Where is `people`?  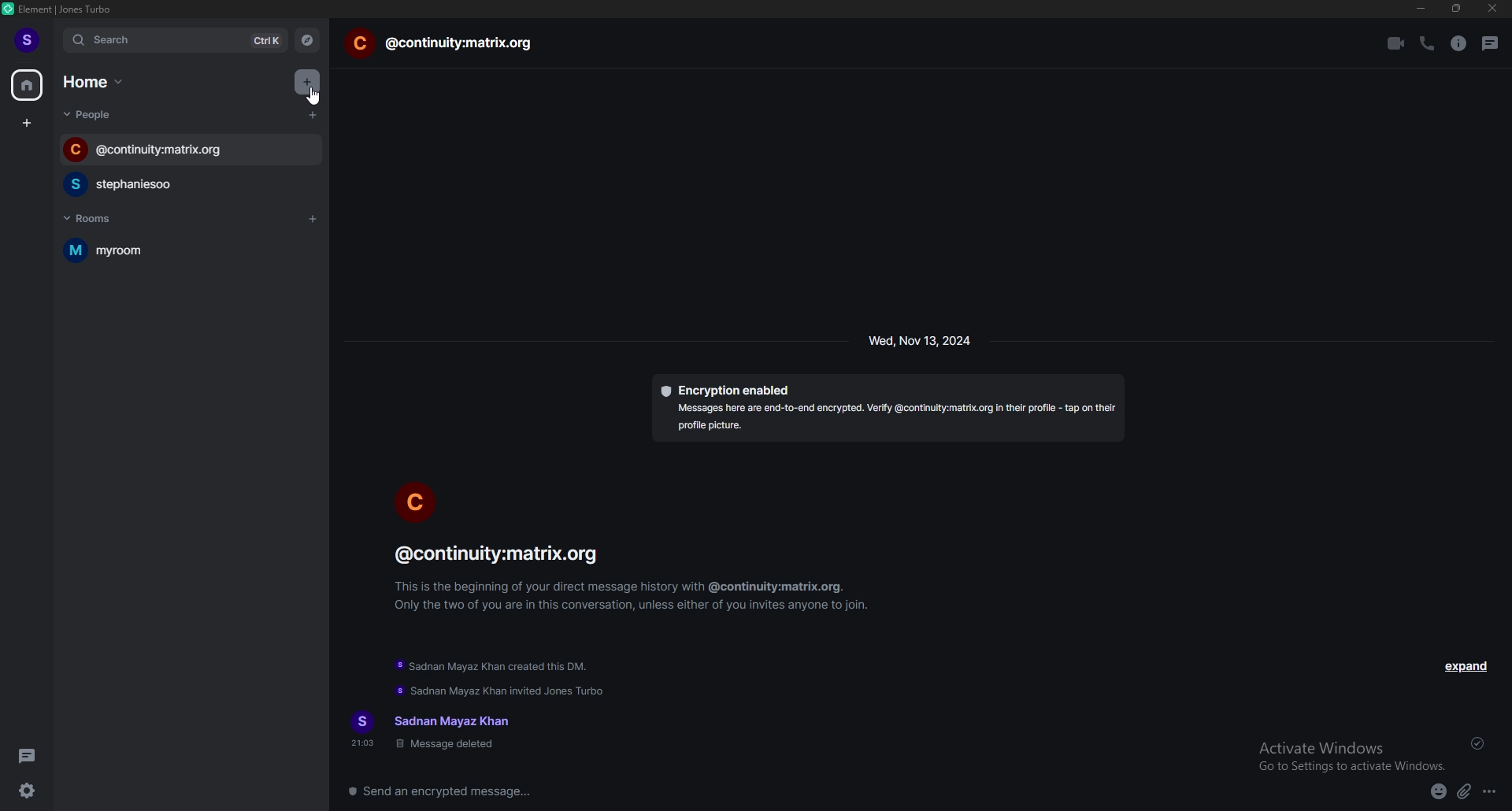 people is located at coordinates (94, 114).